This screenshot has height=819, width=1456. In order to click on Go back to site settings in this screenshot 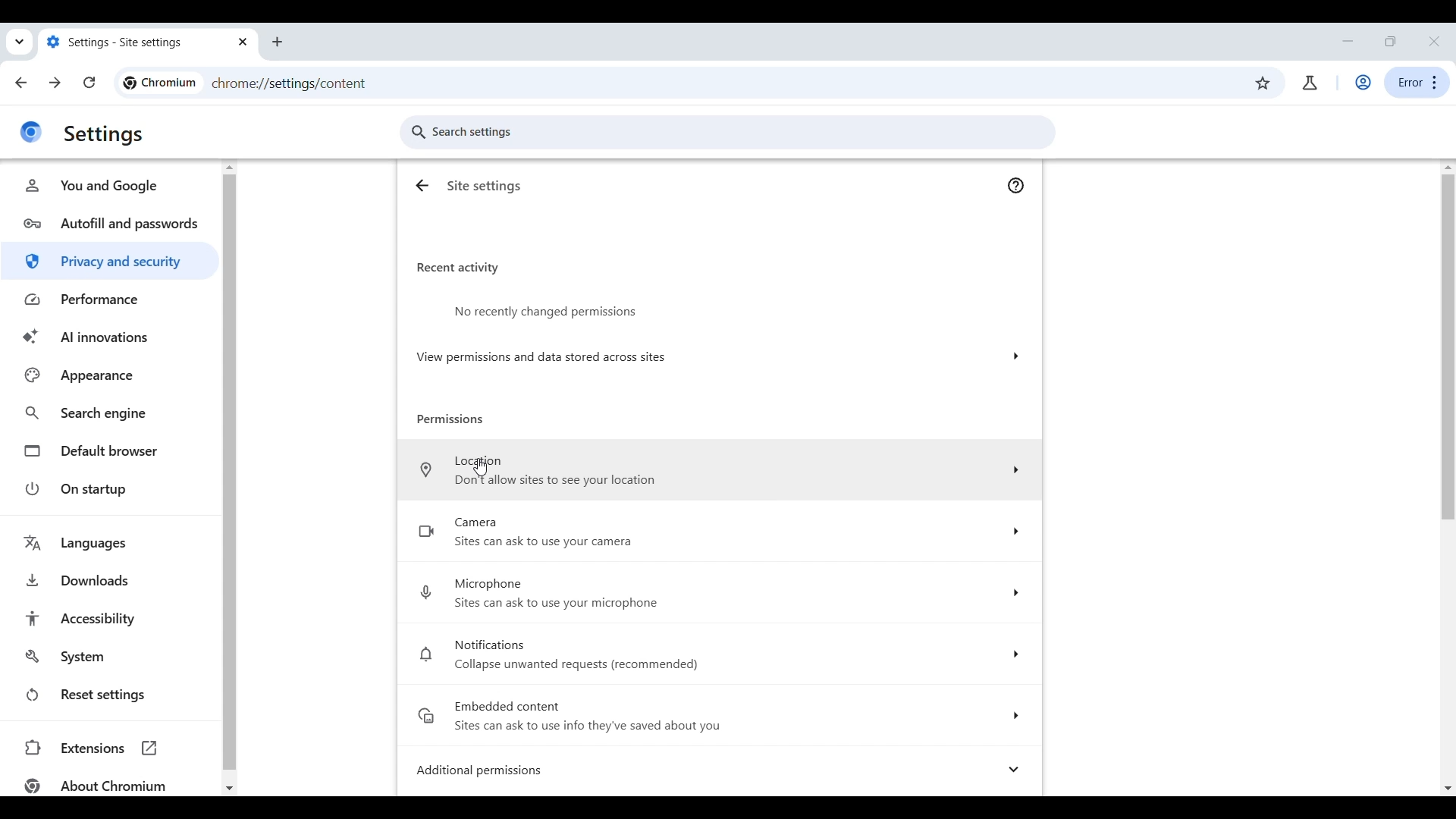, I will do `click(423, 185)`.